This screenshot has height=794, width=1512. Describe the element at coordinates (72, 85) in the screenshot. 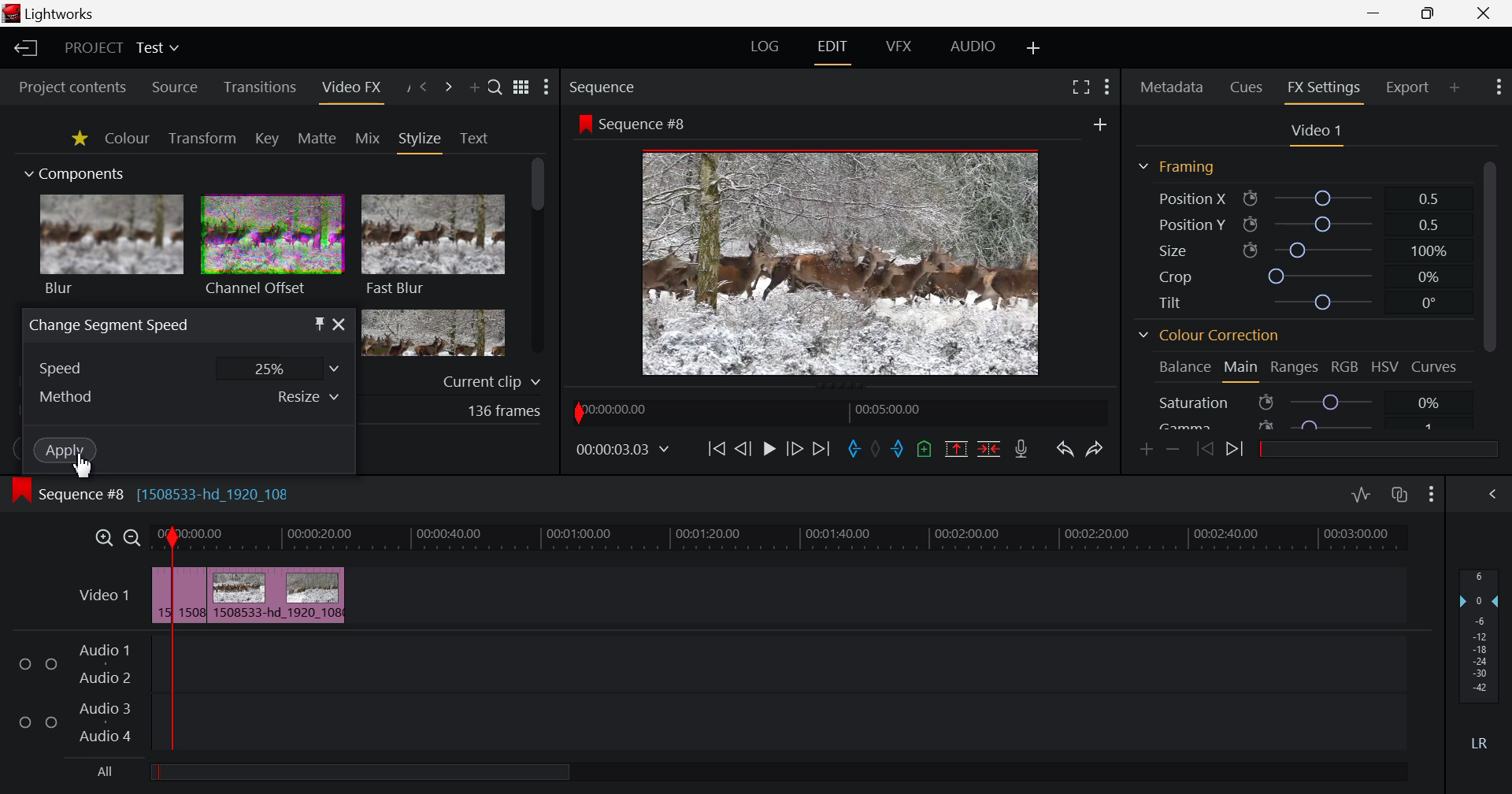

I see `Project contents` at that location.